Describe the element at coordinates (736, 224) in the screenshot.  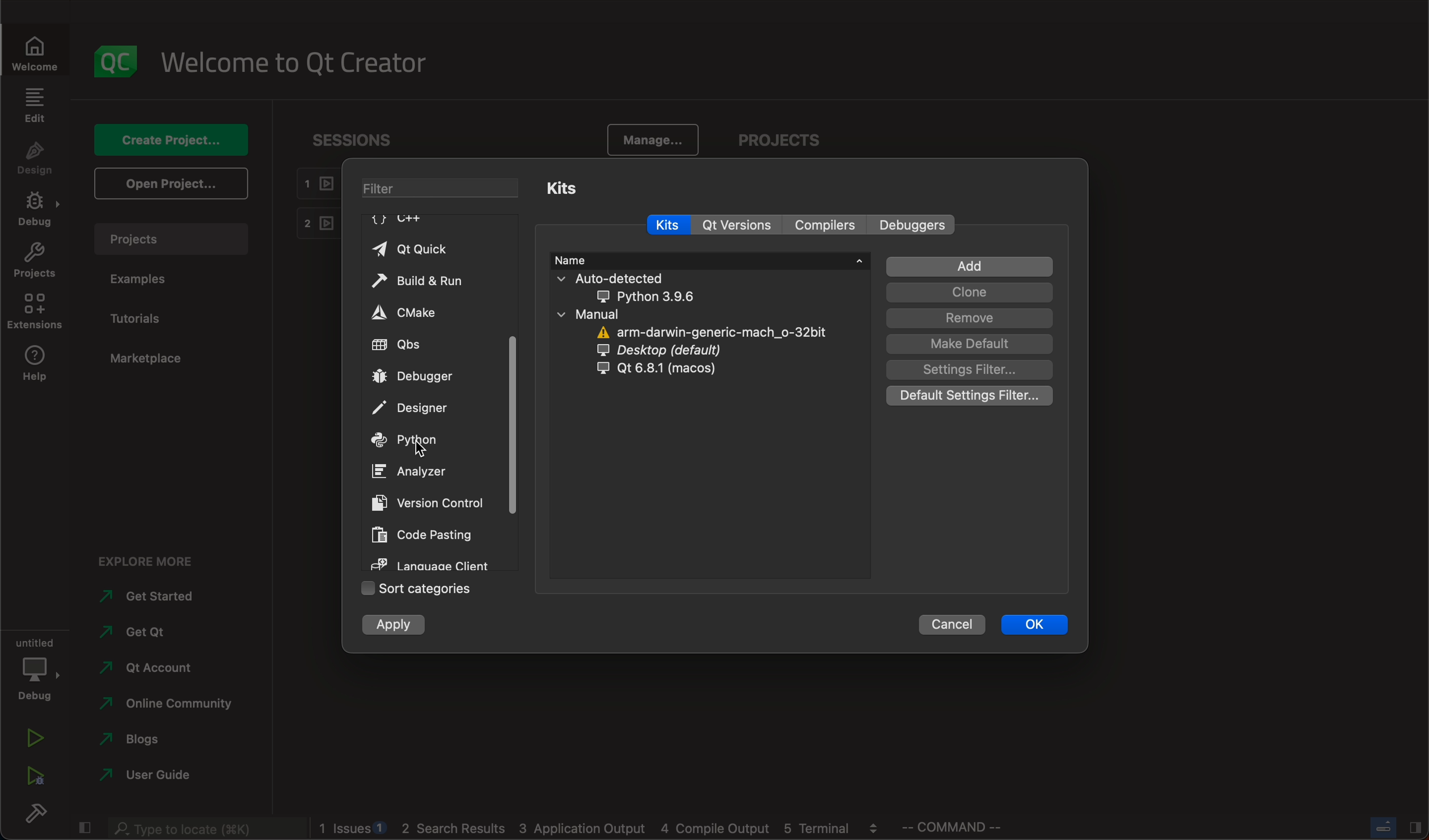
I see `version` at that location.